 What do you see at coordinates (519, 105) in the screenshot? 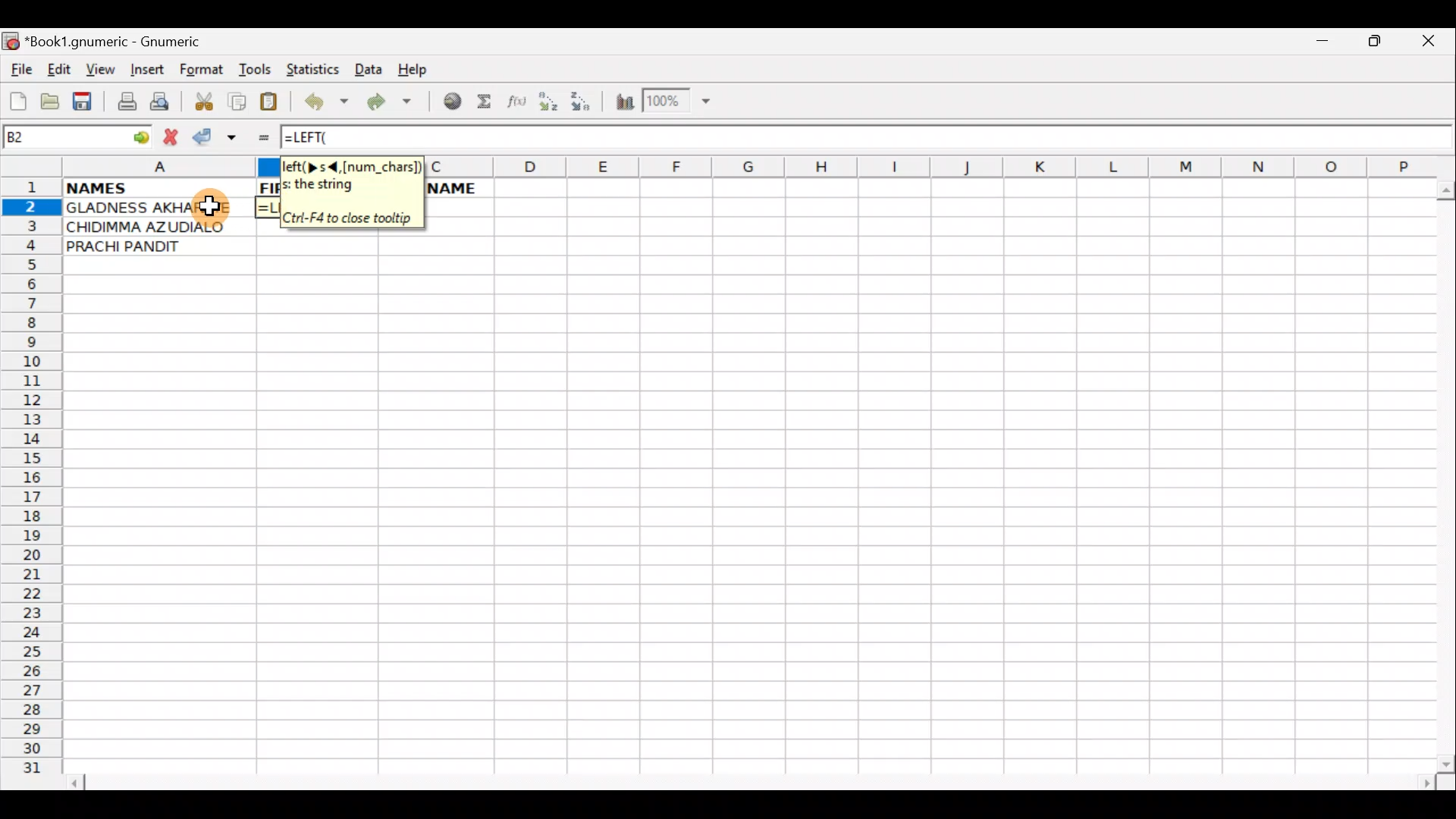
I see `Edit function in the current cell` at bounding box center [519, 105].